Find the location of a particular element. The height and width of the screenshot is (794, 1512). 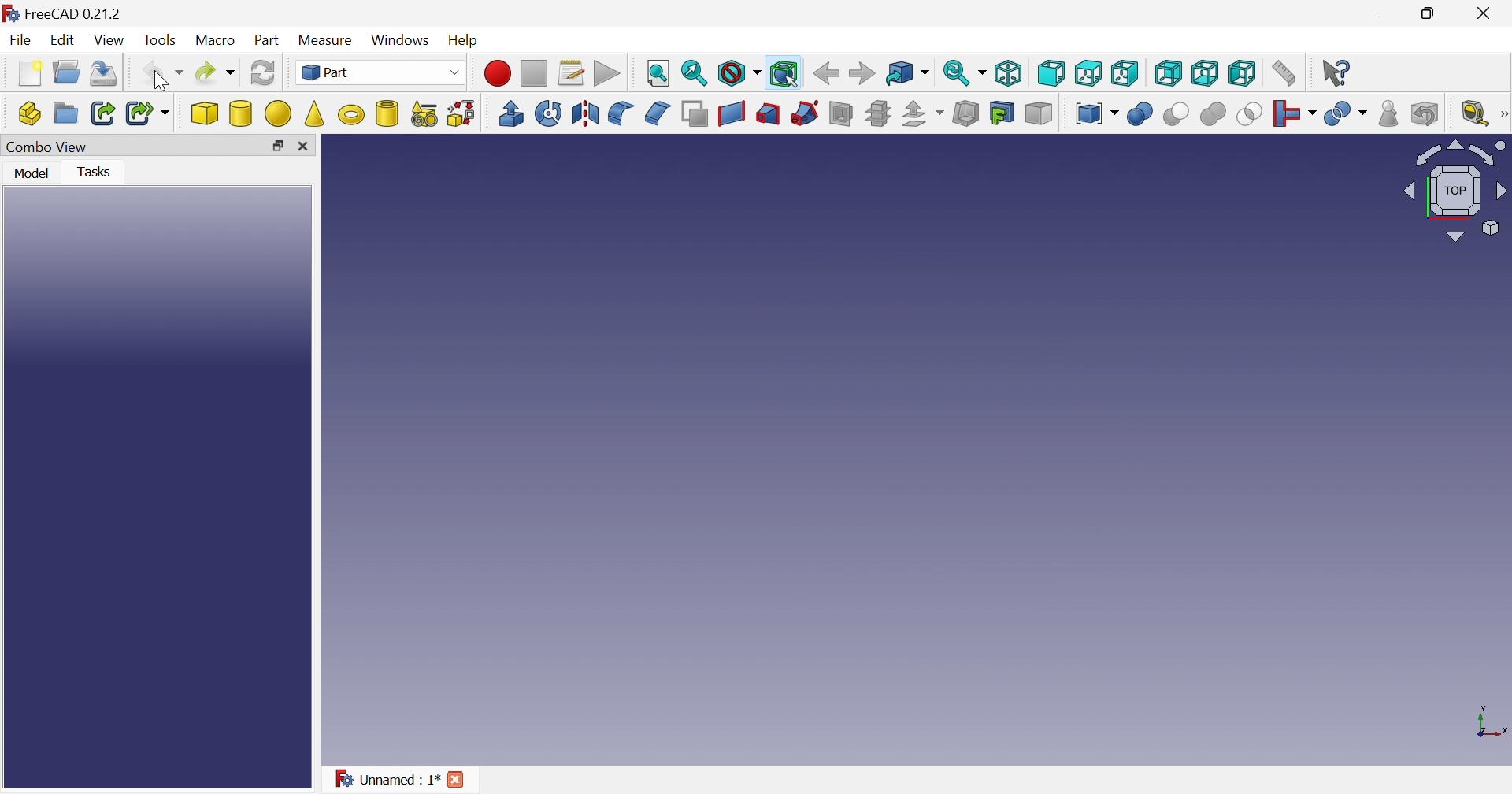

Save is located at coordinates (104, 73).